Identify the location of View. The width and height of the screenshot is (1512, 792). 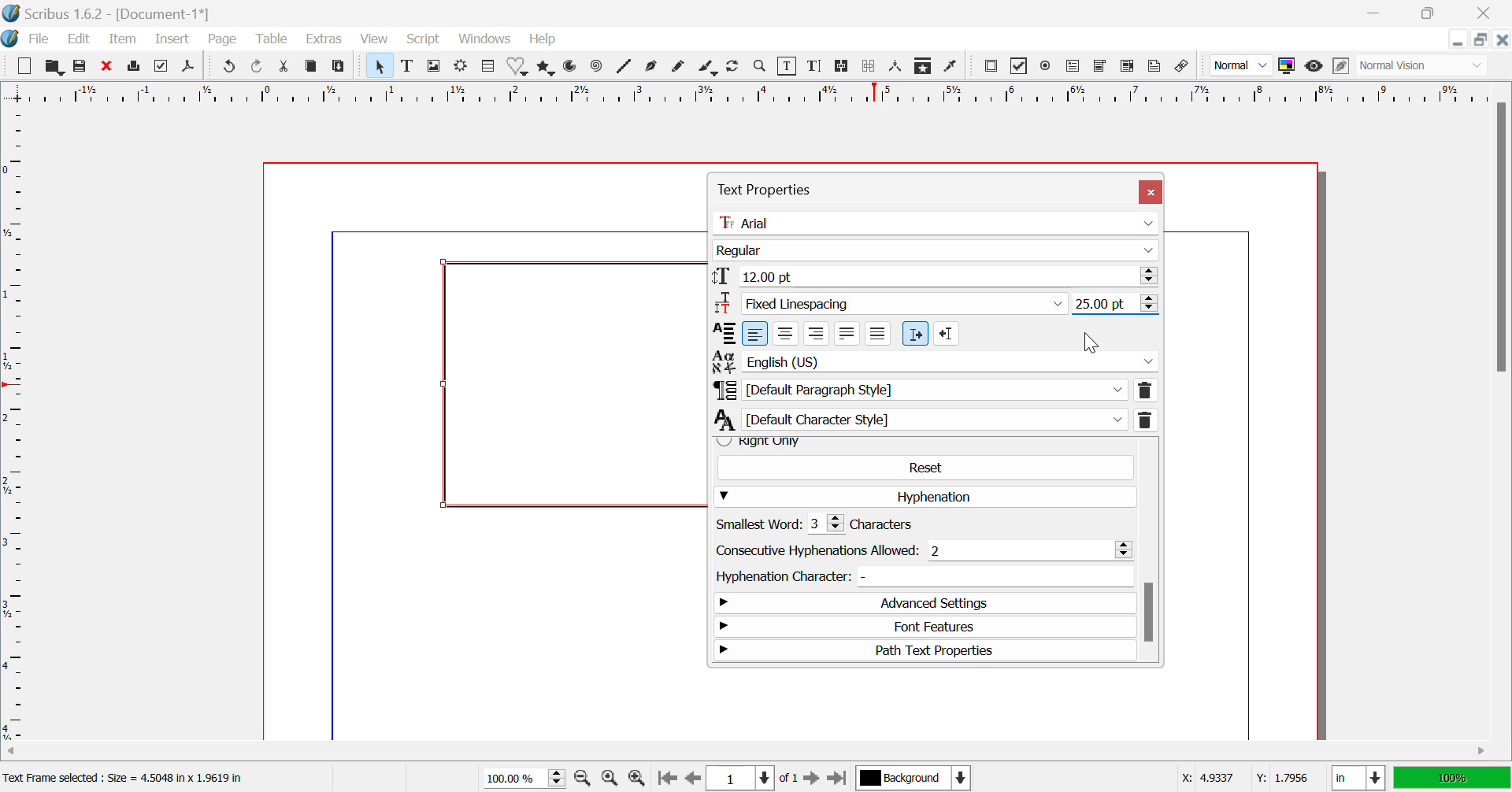
(375, 40).